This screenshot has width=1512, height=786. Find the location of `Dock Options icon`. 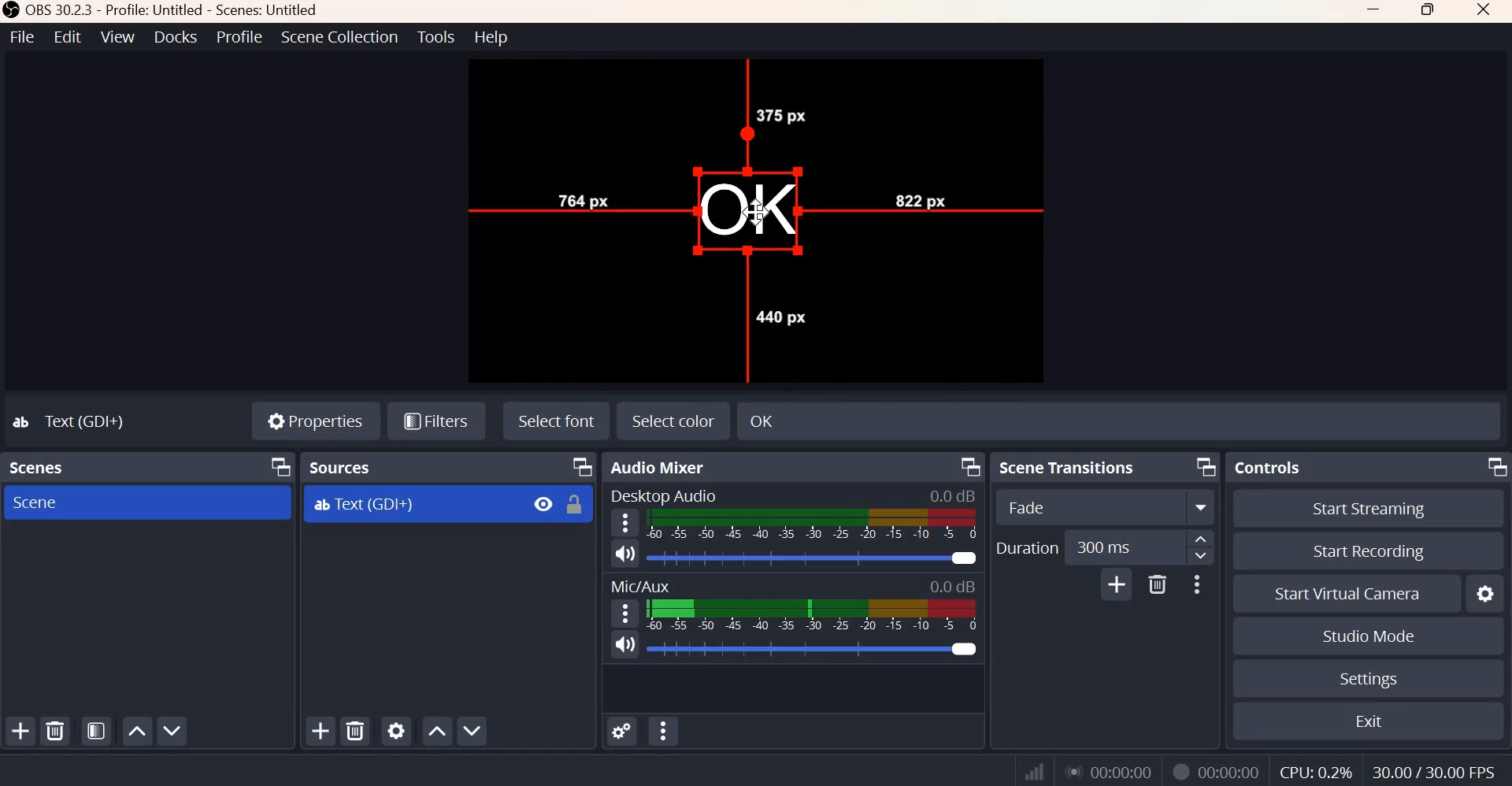

Dock Options icon is located at coordinates (1495, 466).